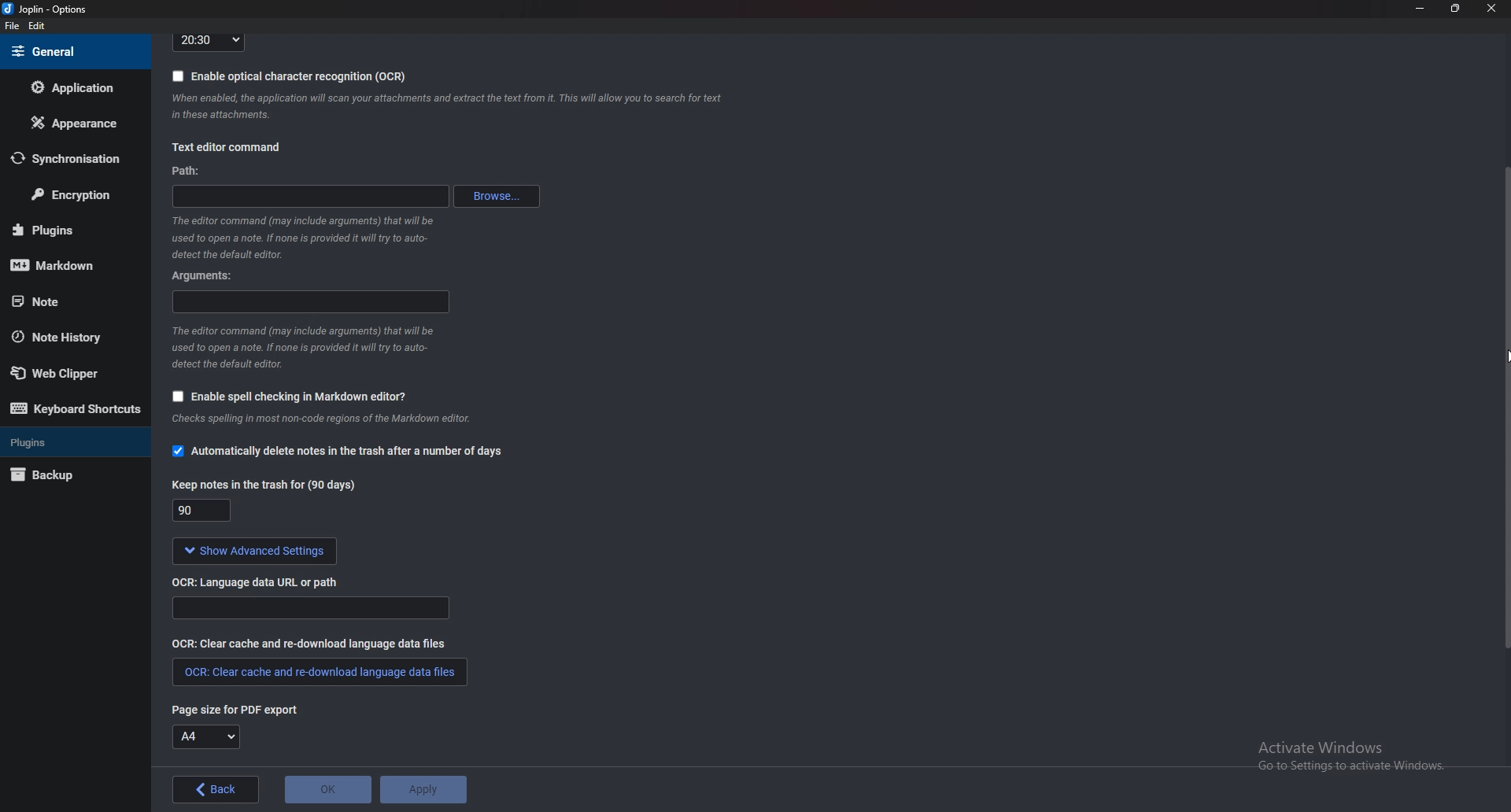 The height and width of the screenshot is (812, 1511). Describe the element at coordinates (65, 338) in the screenshot. I see `Note history` at that location.